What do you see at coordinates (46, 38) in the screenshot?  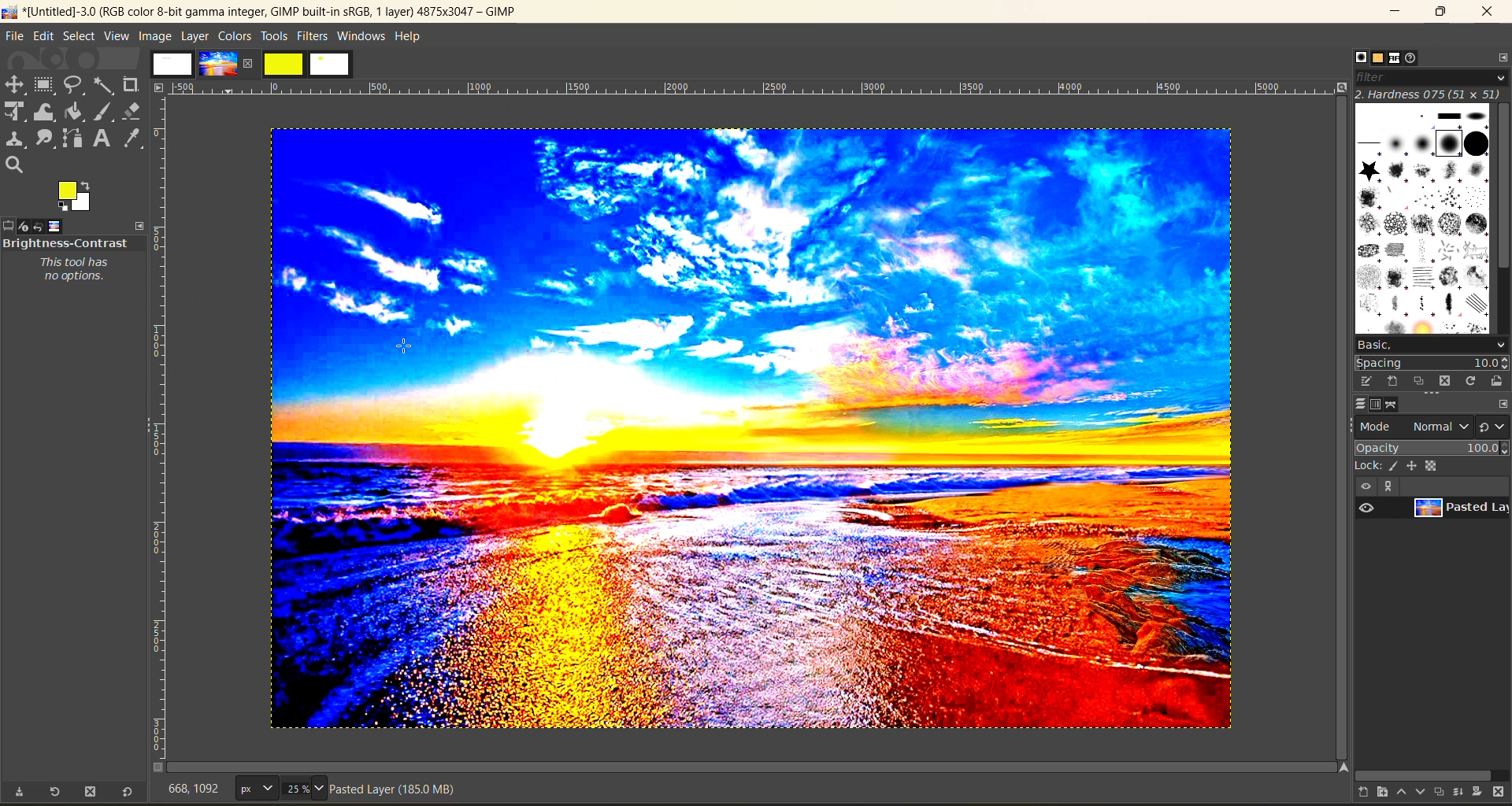 I see `edit` at bounding box center [46, 38].